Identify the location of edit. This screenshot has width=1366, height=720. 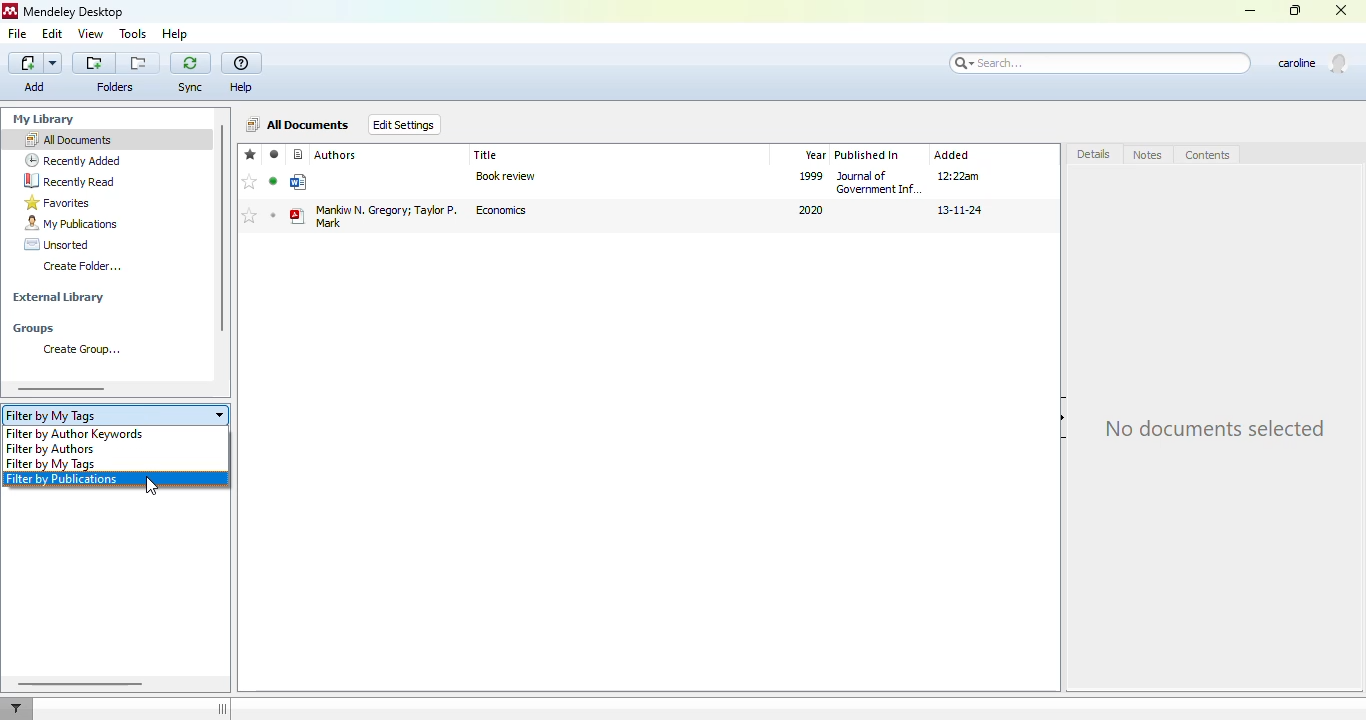
(54, 35).